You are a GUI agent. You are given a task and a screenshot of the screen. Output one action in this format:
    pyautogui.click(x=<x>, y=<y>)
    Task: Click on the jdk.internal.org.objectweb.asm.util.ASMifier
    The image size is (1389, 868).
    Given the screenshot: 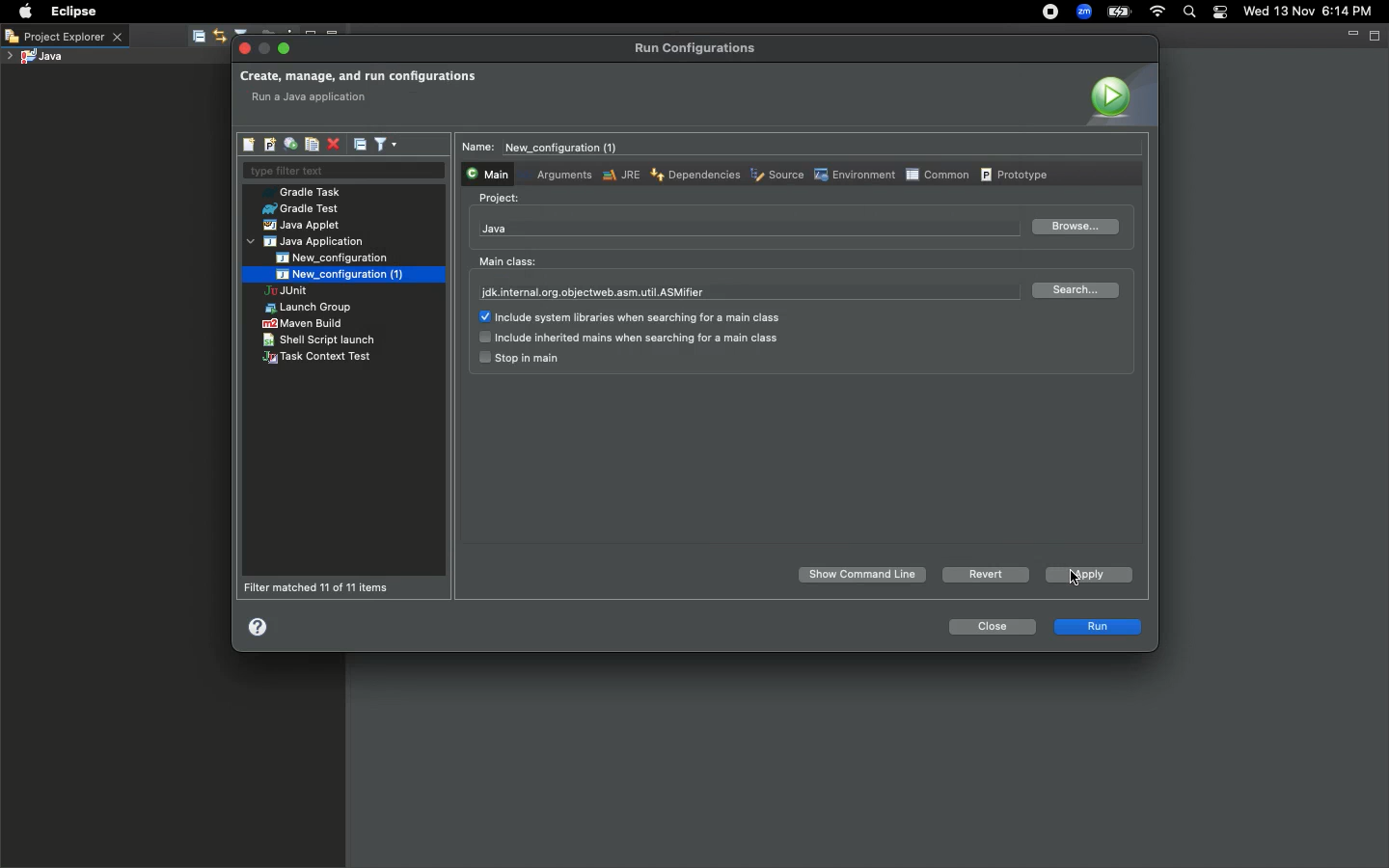 What is the action you would take?
    pyautogui.click(x=595, y=293)
    